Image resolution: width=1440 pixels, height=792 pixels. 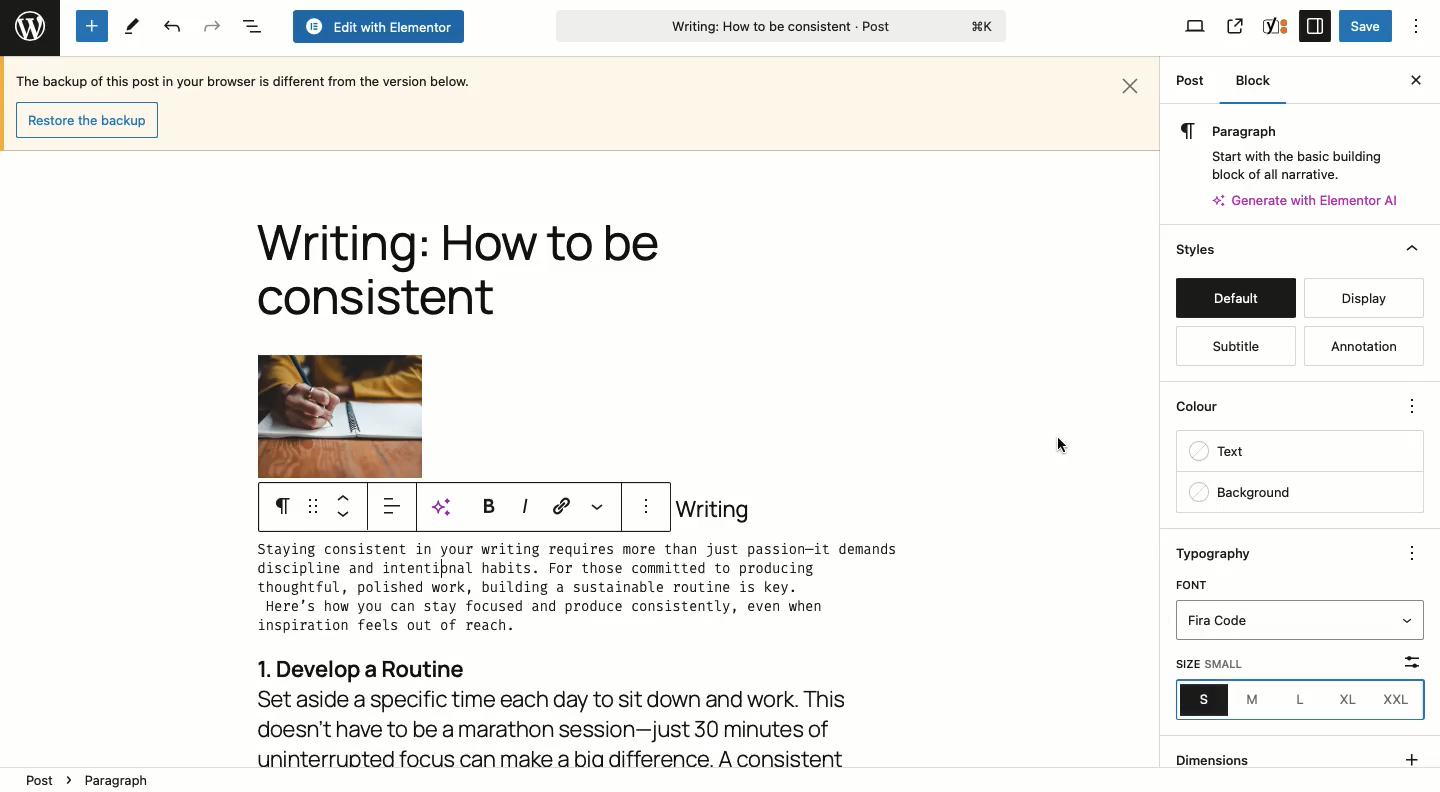 What do you see at coordinates (1190, 82) in the screenshot?
I see `Post` at bounding box center [1190, 82].